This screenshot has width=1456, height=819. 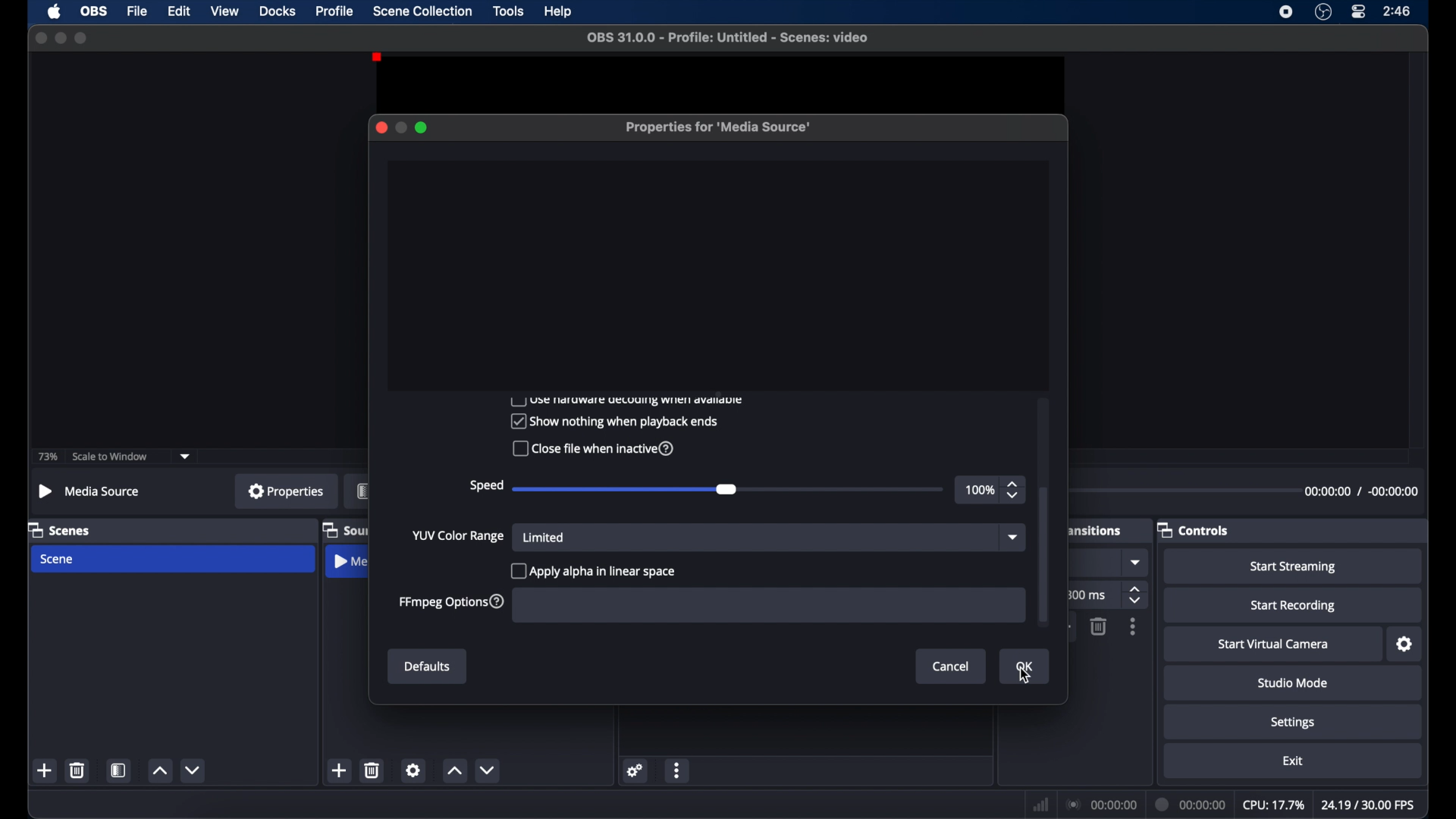 What do you see at coordinates (544, 537) in the screenshot?
I see `limited` at bounding box center [544, 537].